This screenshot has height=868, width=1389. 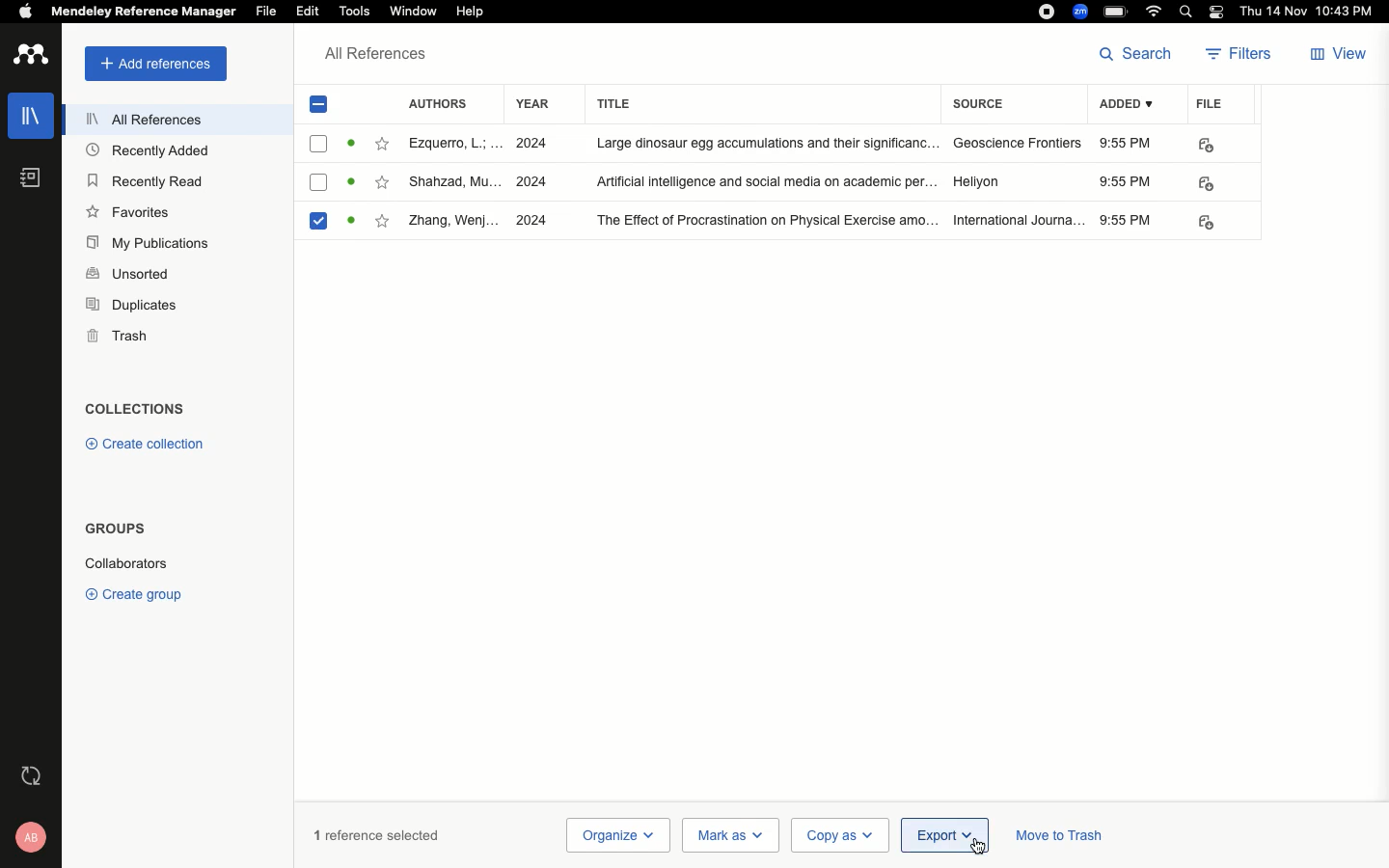 I want to click on Source, so click(x=984, y=106).